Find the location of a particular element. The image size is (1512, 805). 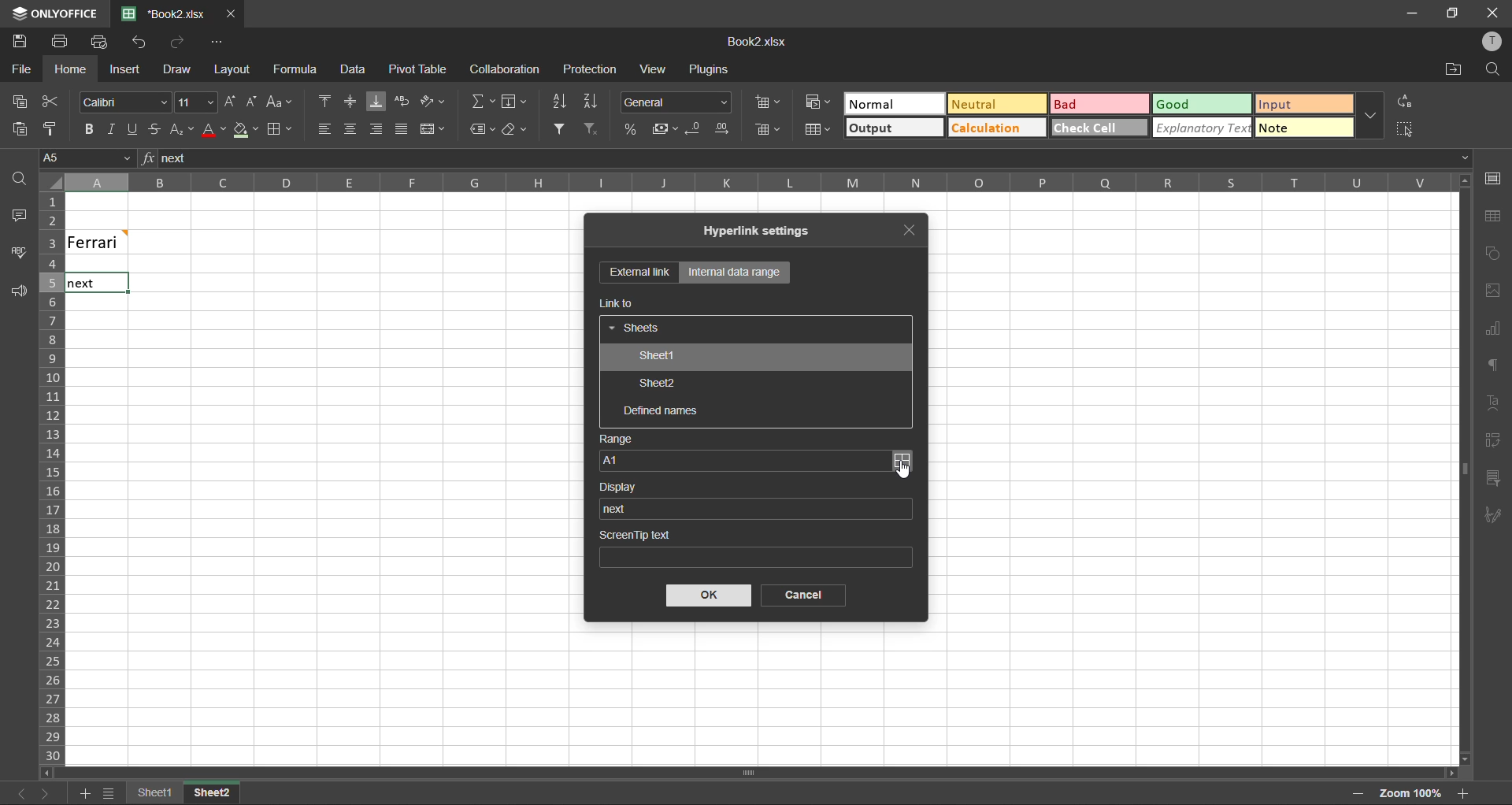

pivot table is located at coordinates (1493, 440).